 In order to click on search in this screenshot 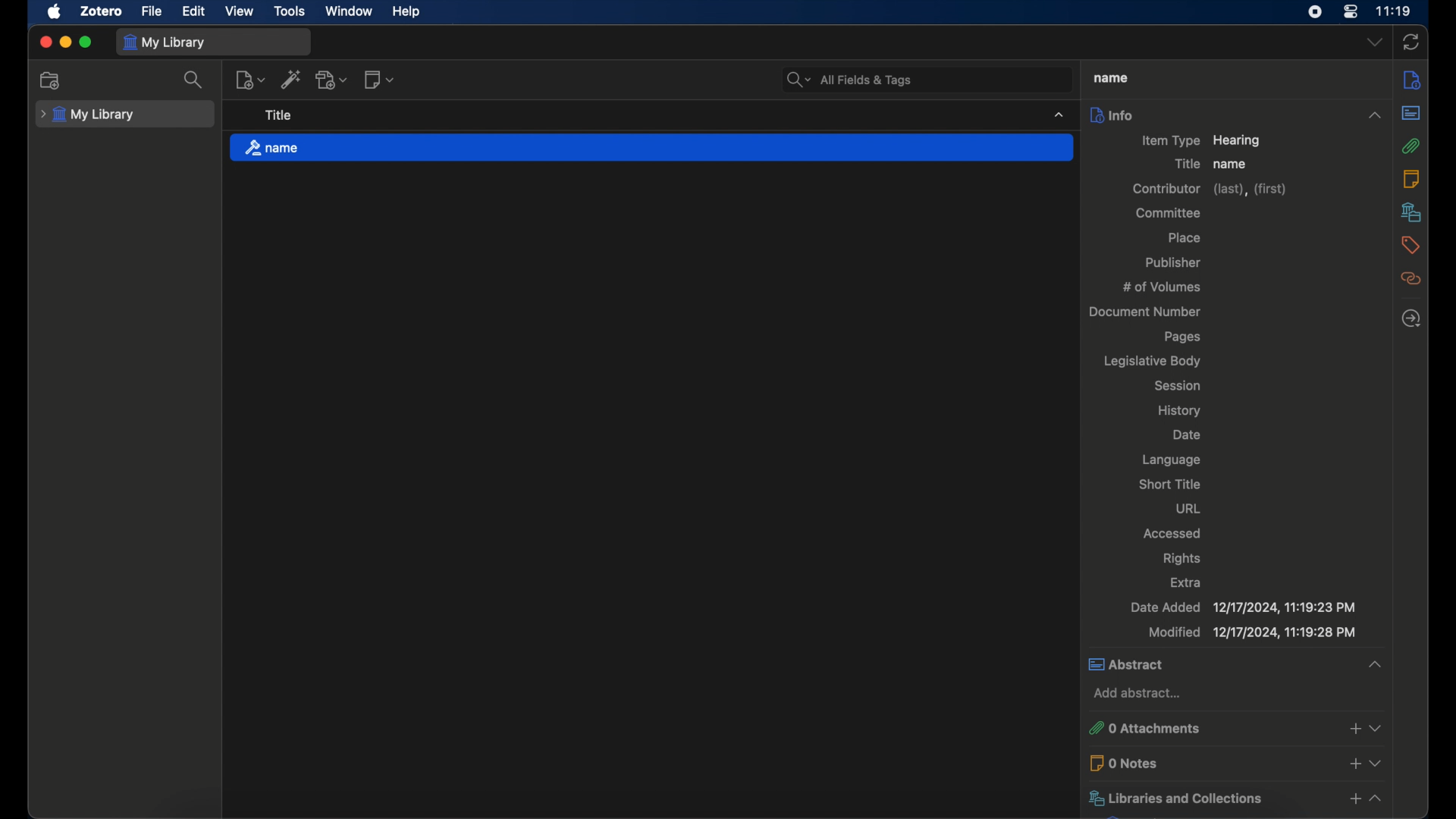, I will do `click(848, 80)`.